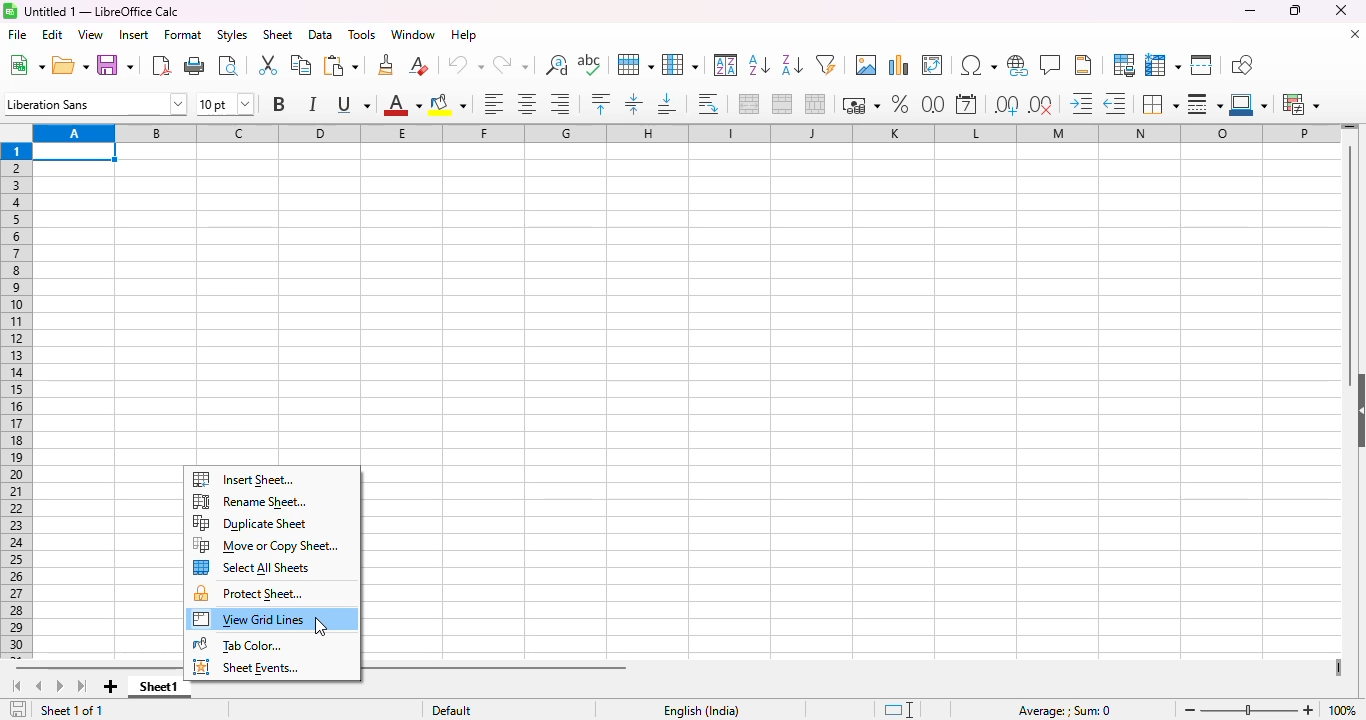 This screenshot has height=720, width=1366. Describe the element at coordinates (815, 104) in the screenshot. I see `unmerge cells` at that location.